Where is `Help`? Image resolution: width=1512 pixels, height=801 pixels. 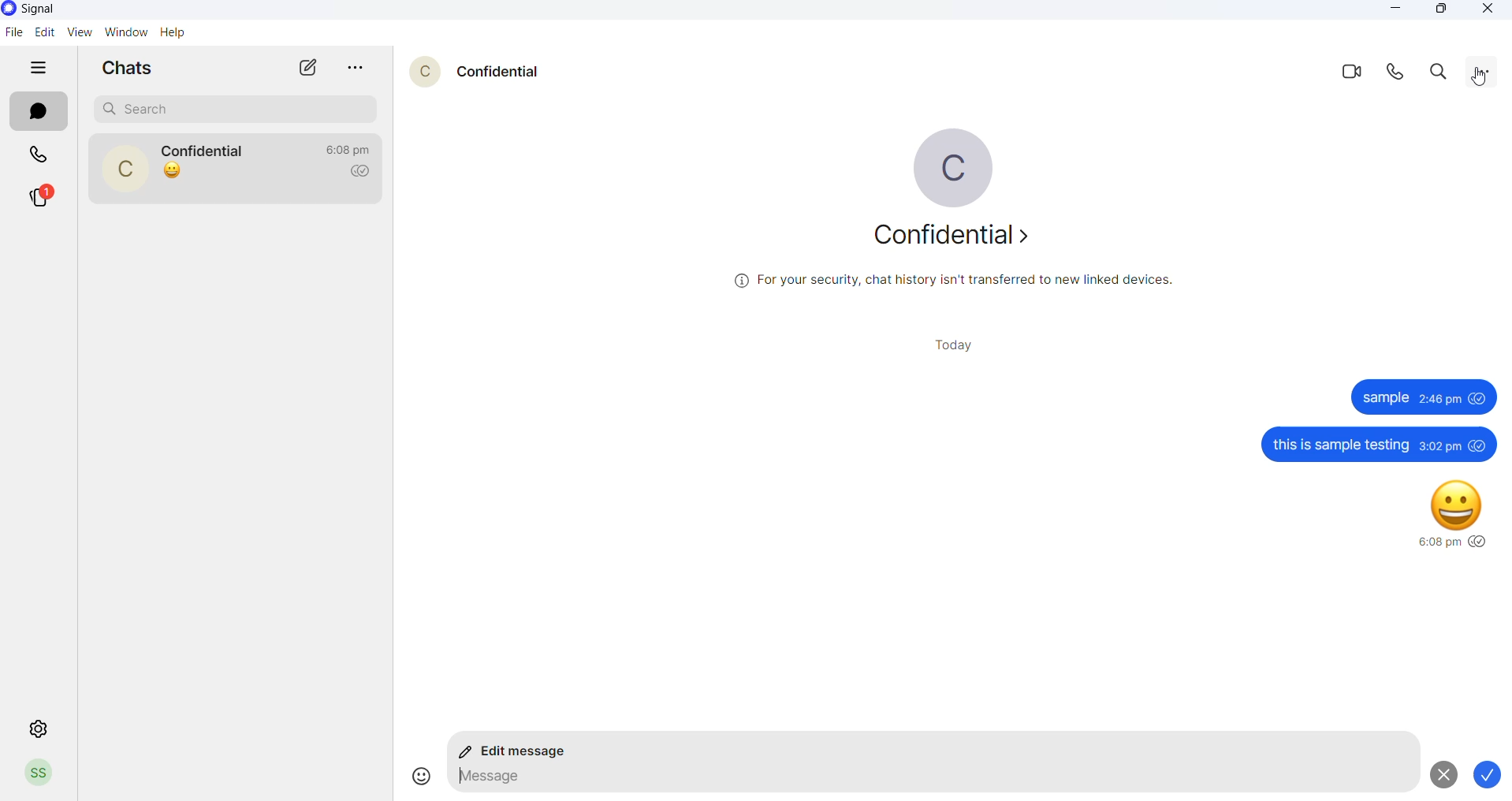
Help is located at coordinates (177, 32).